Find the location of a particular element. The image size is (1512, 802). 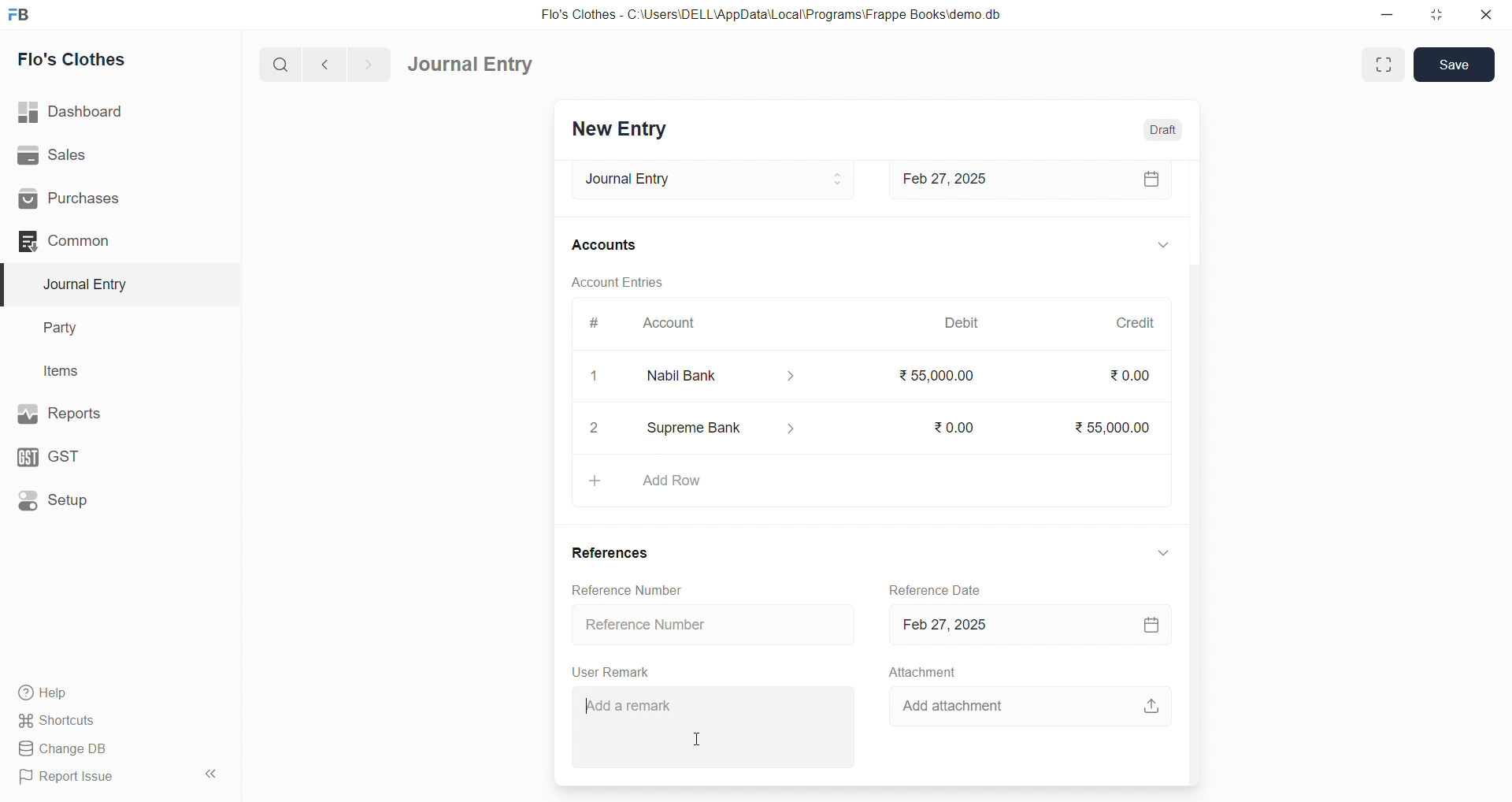

cursor is located at coordinates (698, 738).